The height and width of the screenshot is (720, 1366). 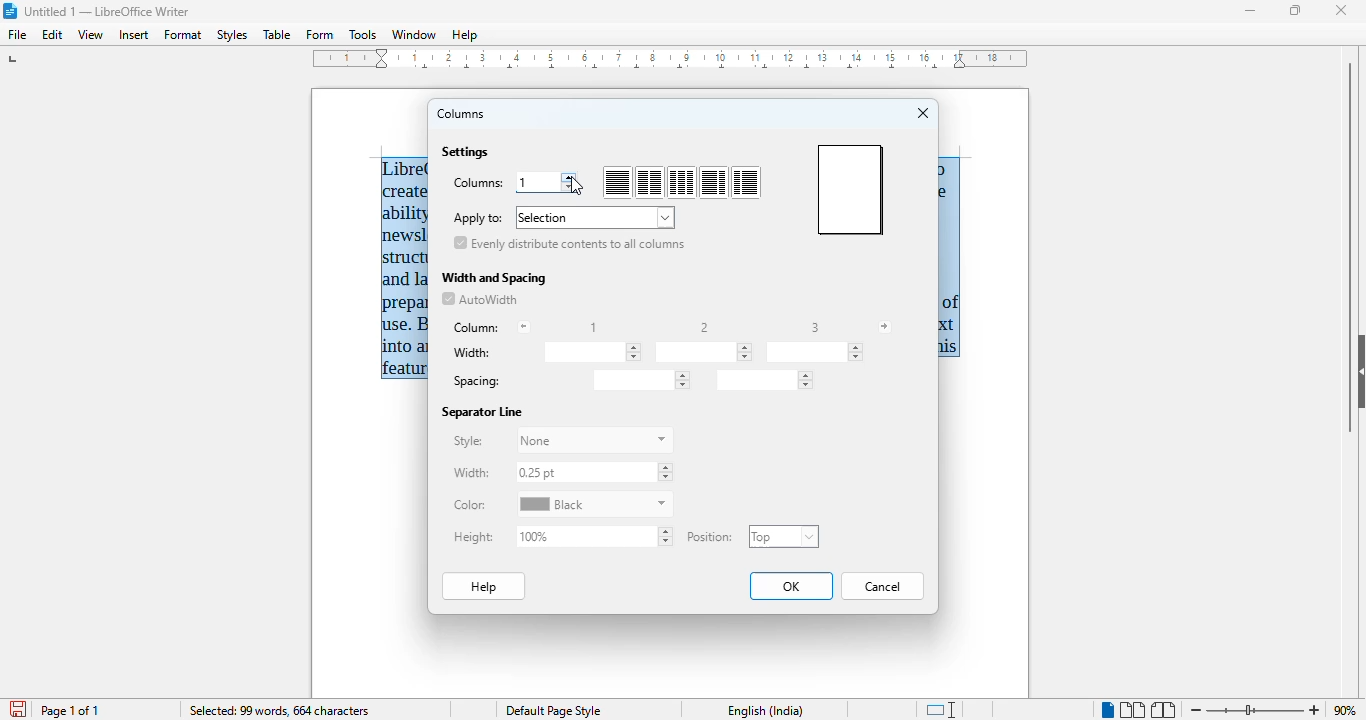 What do you see at coordinates (1350, 246) in the screenshot?
I see `vertical scroll bar` at bounding box center [1350, 246].